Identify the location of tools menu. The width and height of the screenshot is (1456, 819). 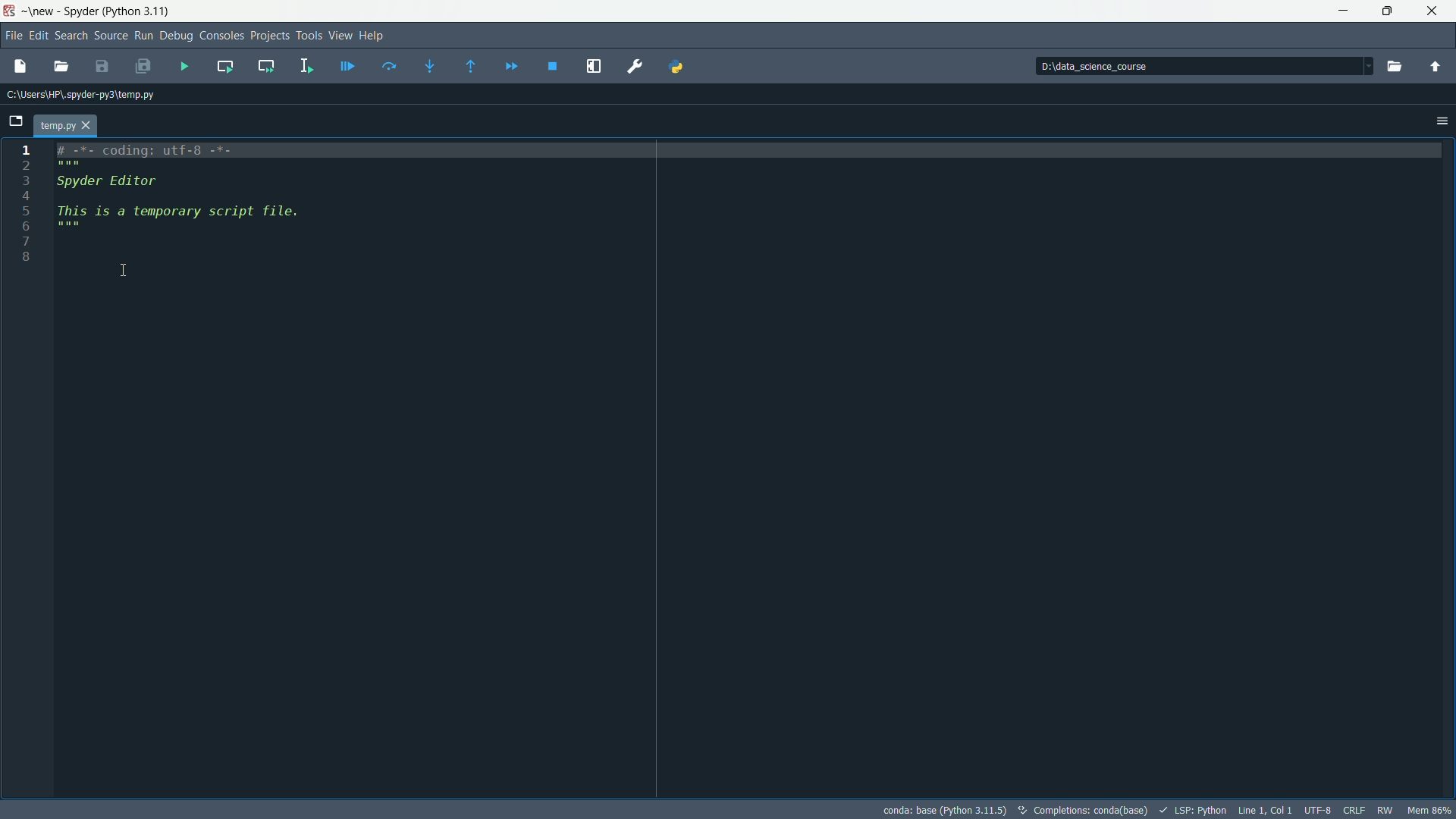
(309, 36).